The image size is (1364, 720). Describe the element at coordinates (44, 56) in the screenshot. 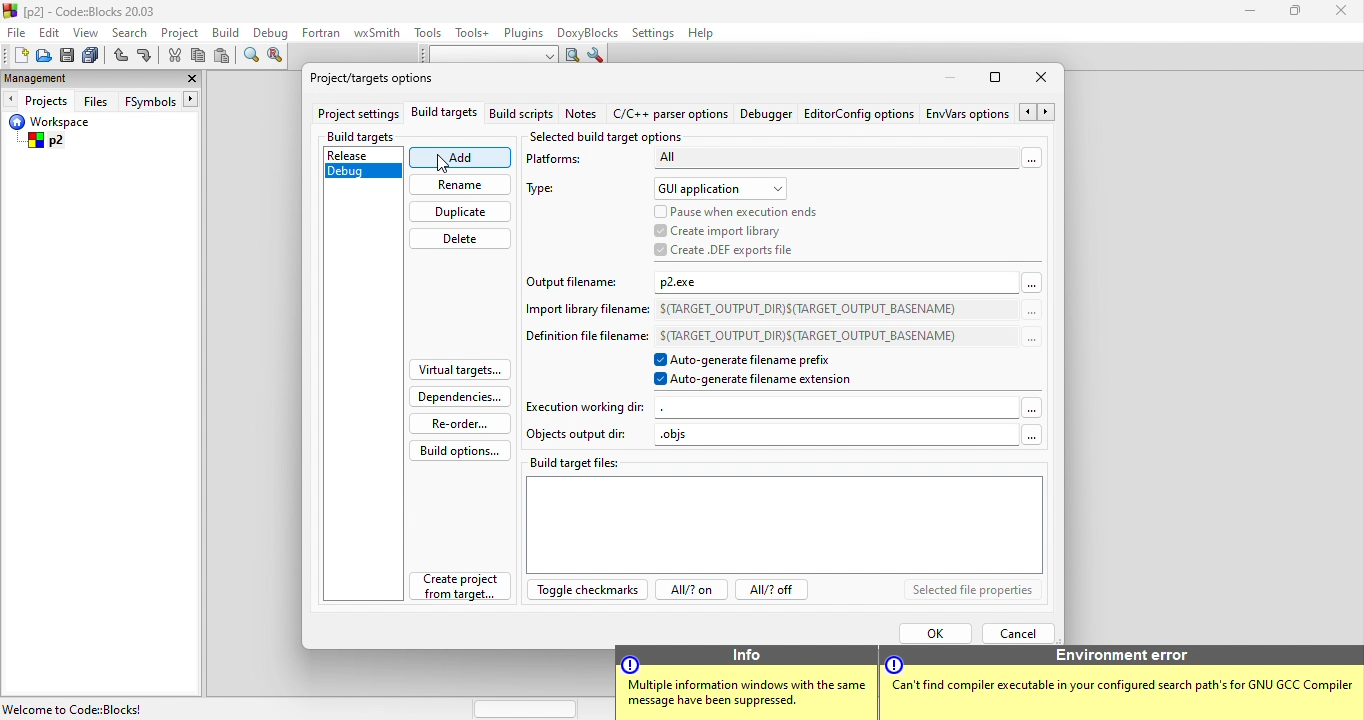

I see `open` at that location.